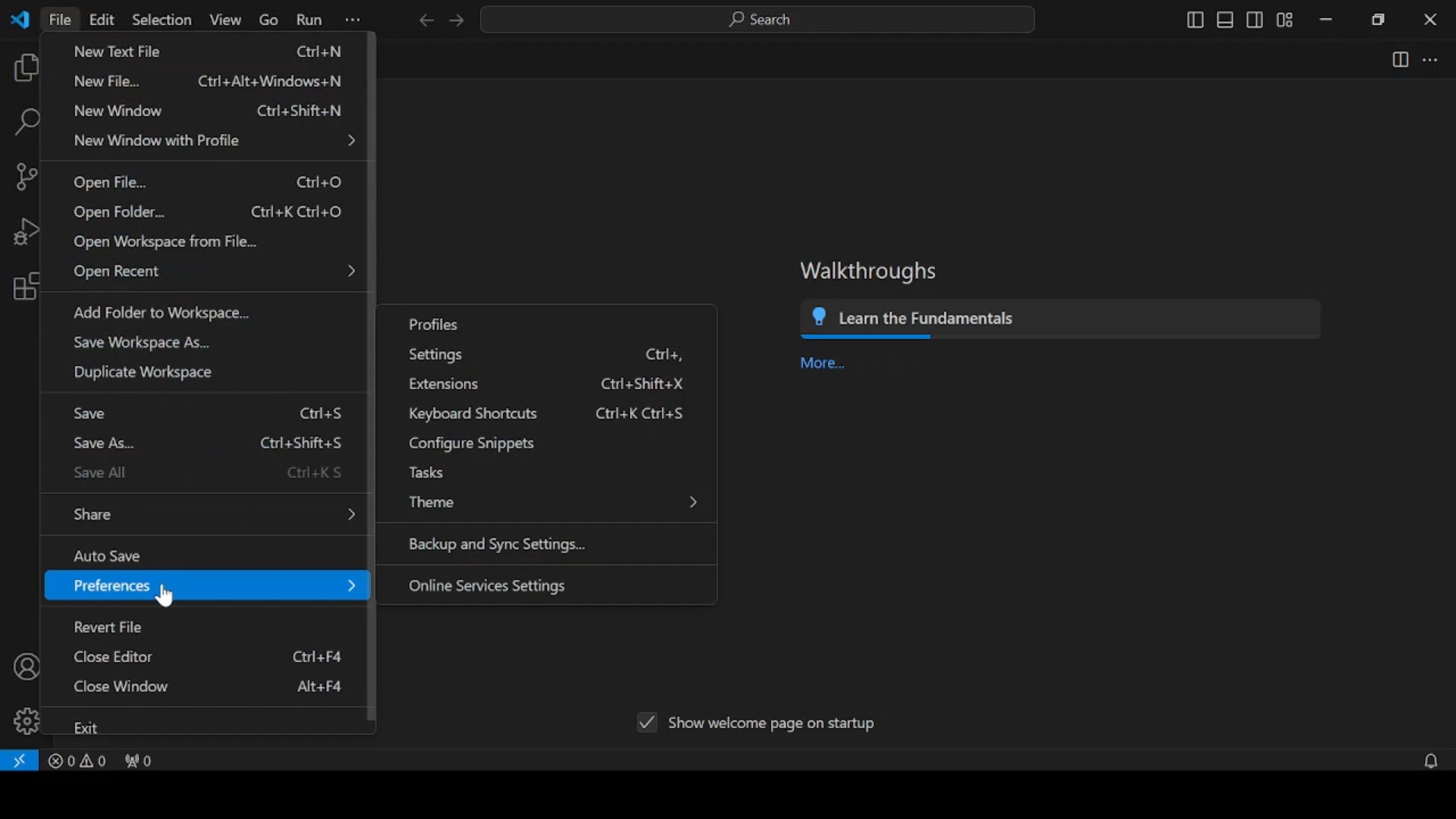 This screenshot has width=1456, height=819. I want to click on close, so click(1429, 20).